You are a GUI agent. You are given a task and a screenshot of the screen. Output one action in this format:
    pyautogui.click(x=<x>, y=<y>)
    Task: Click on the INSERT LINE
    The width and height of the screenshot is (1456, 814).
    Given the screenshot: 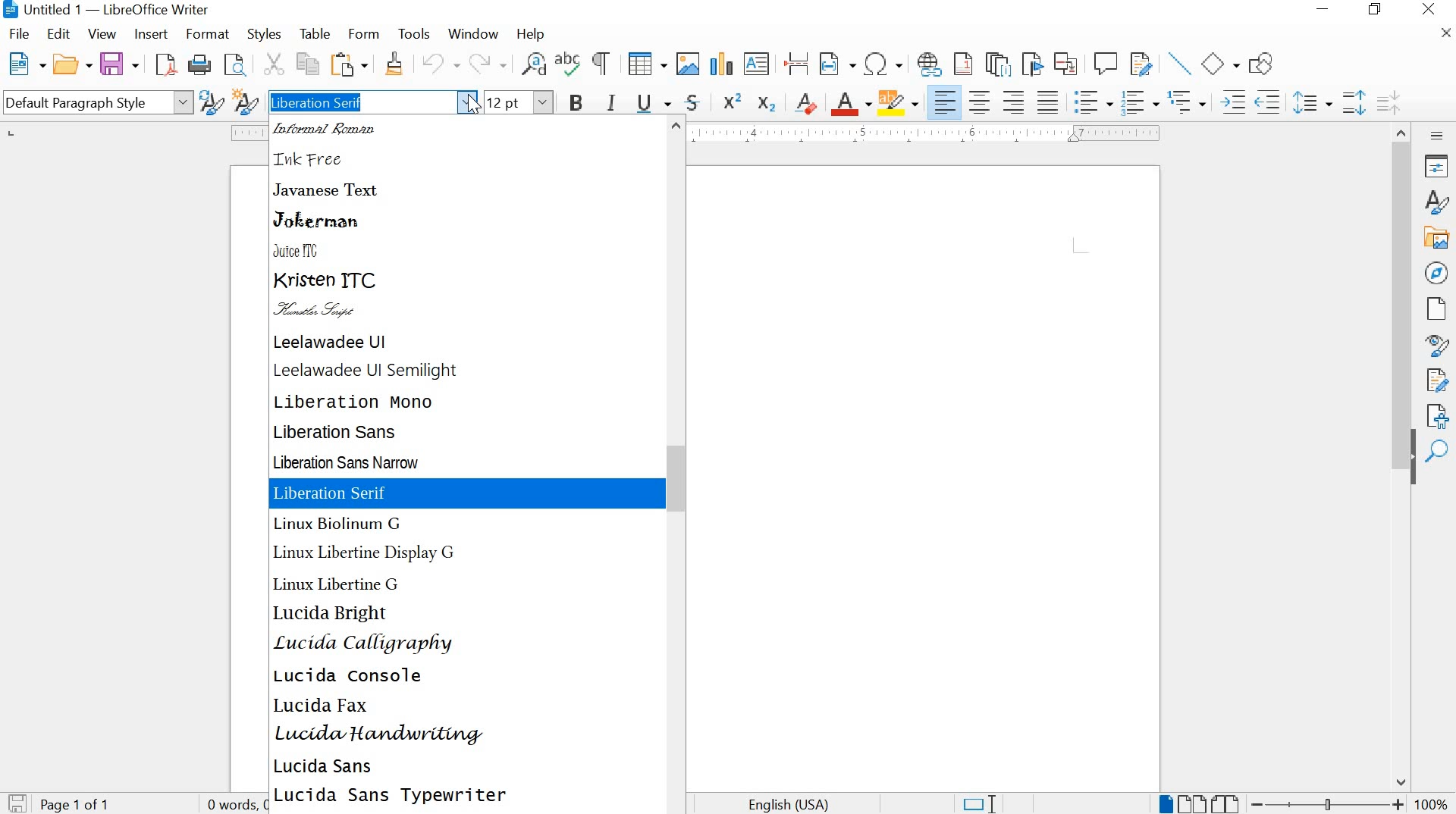 What is the action you would take?
    pyautogui.click(x=1179, y=64)
    